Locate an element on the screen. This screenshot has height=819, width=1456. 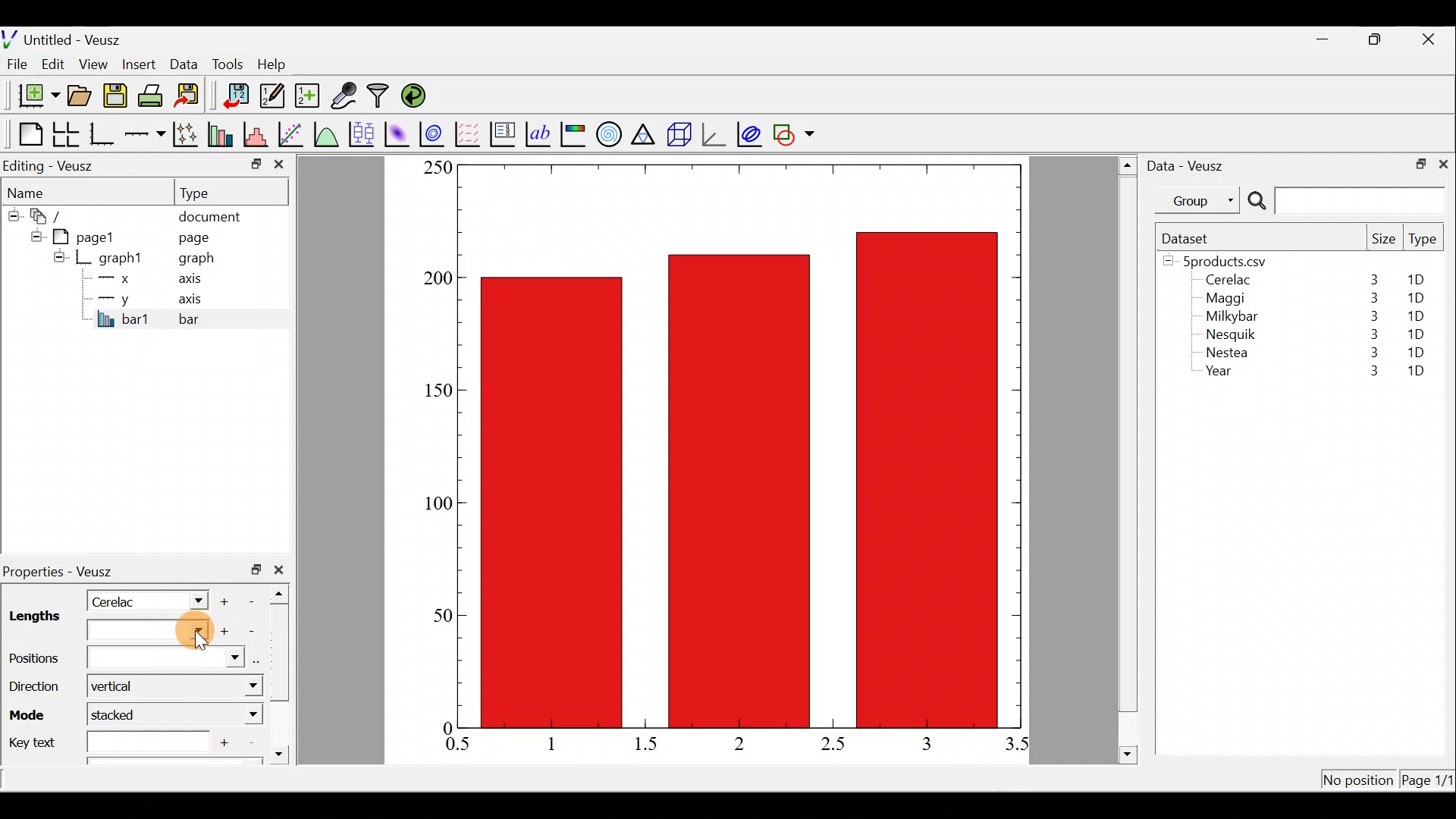
Arrange graphs in a grid is located at coordinates (65, 134).